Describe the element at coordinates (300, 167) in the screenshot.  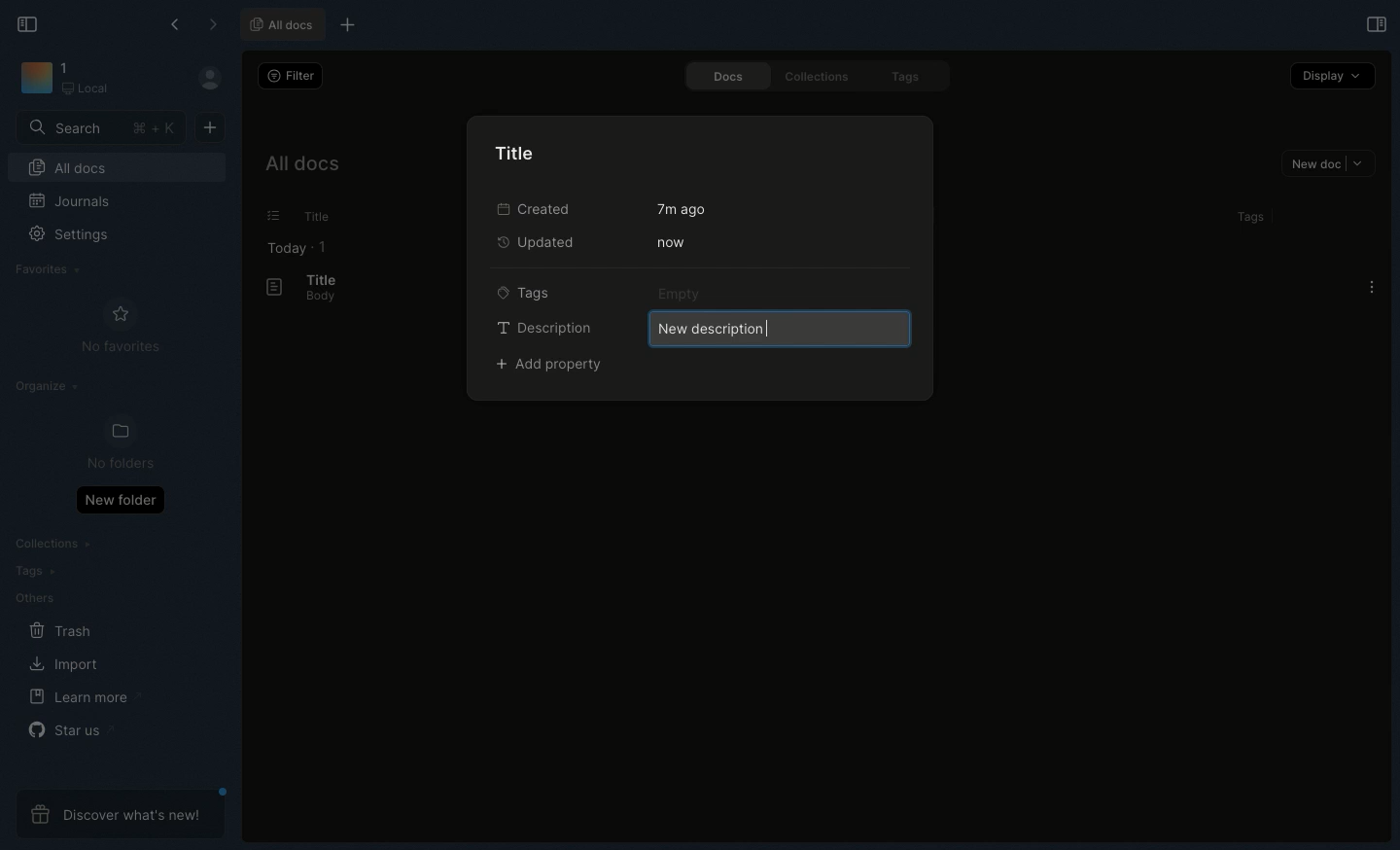
I see `All docs` at that location.